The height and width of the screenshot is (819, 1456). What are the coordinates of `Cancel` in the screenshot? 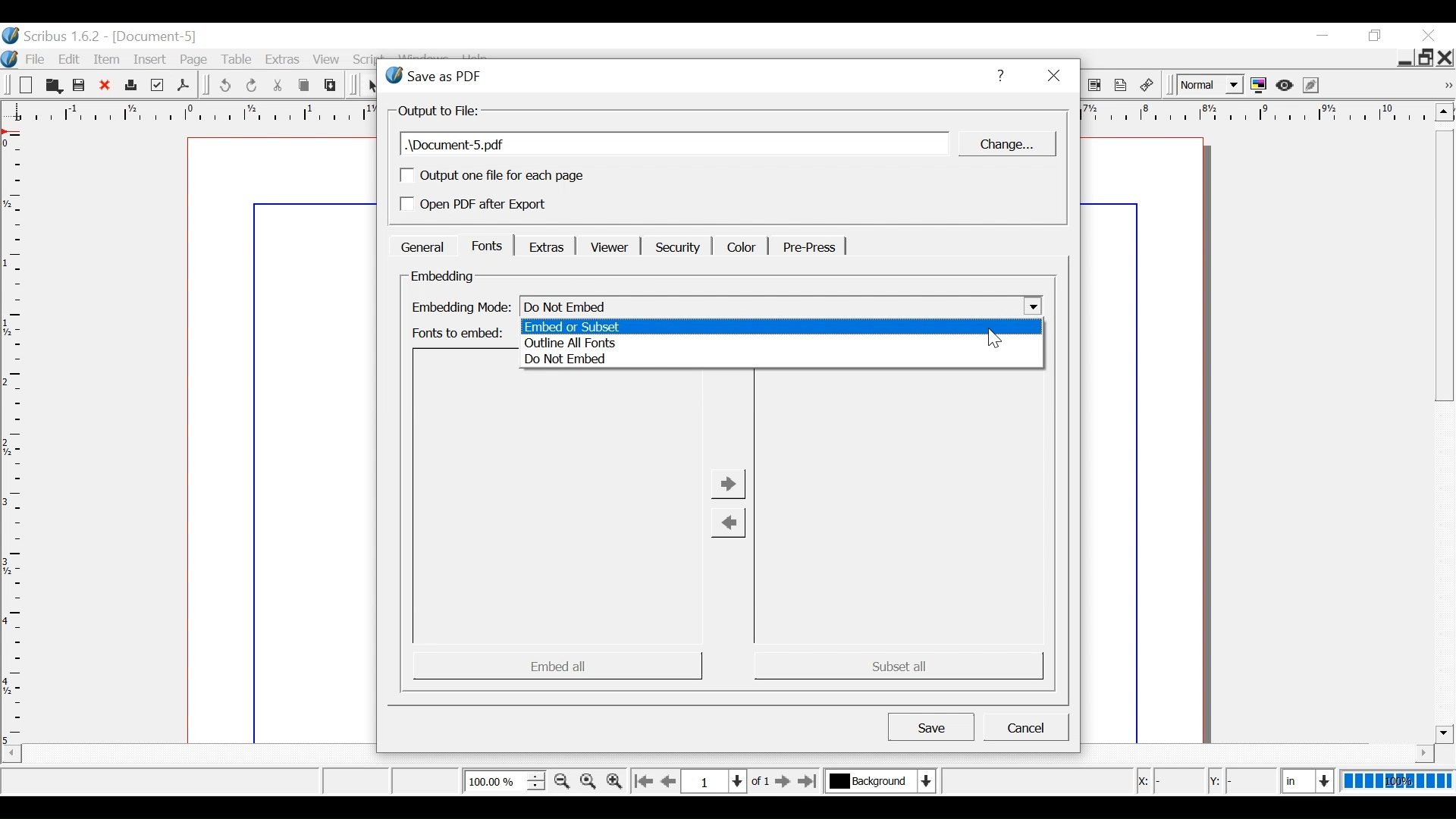 It's located at (1026, 727).